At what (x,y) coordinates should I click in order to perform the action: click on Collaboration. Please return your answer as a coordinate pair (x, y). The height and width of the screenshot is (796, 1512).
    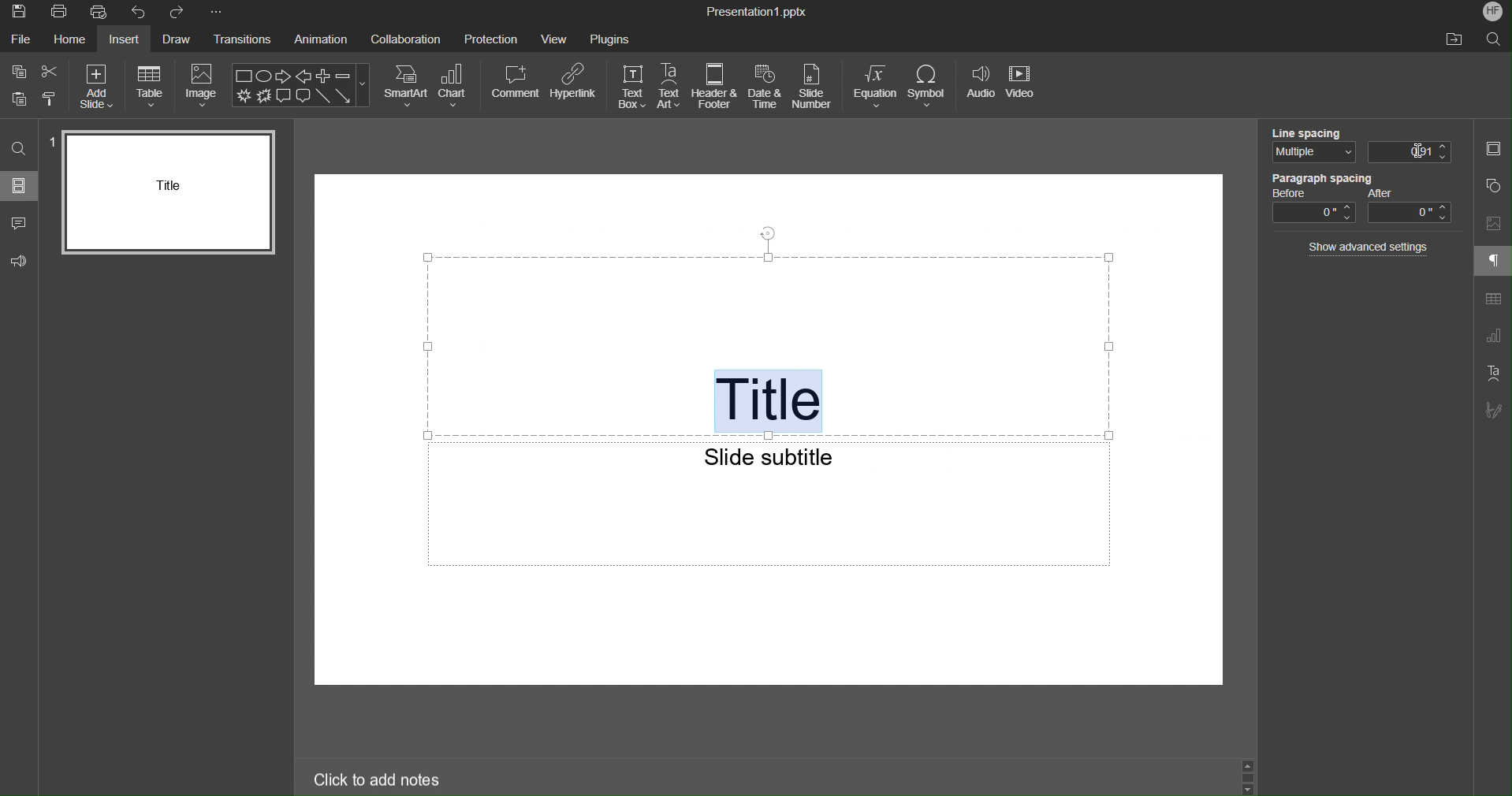
    Looking at the image, I should click on (409, 42).